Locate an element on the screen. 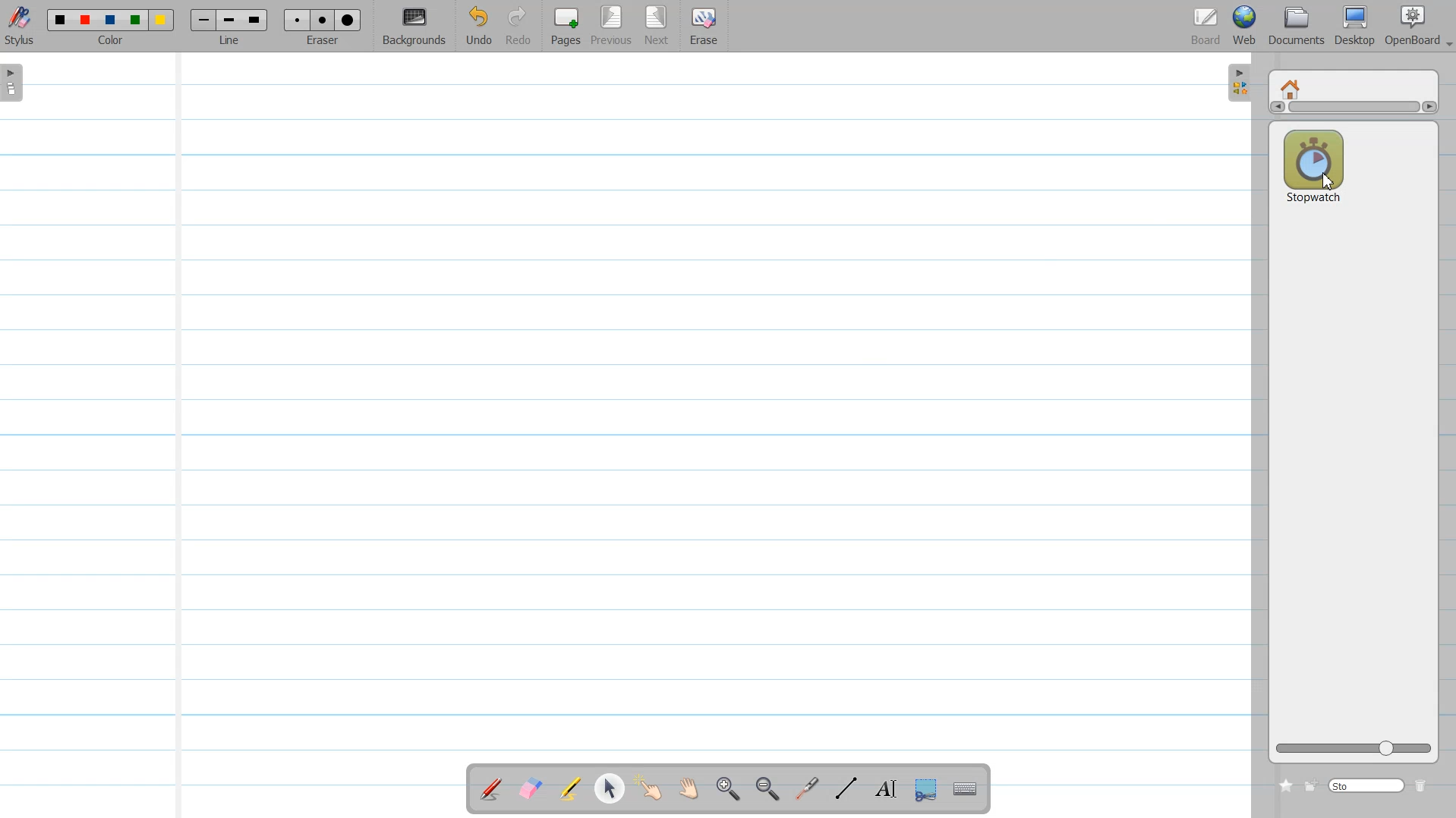  Zoom ////out is located at coordinates (769, 788).